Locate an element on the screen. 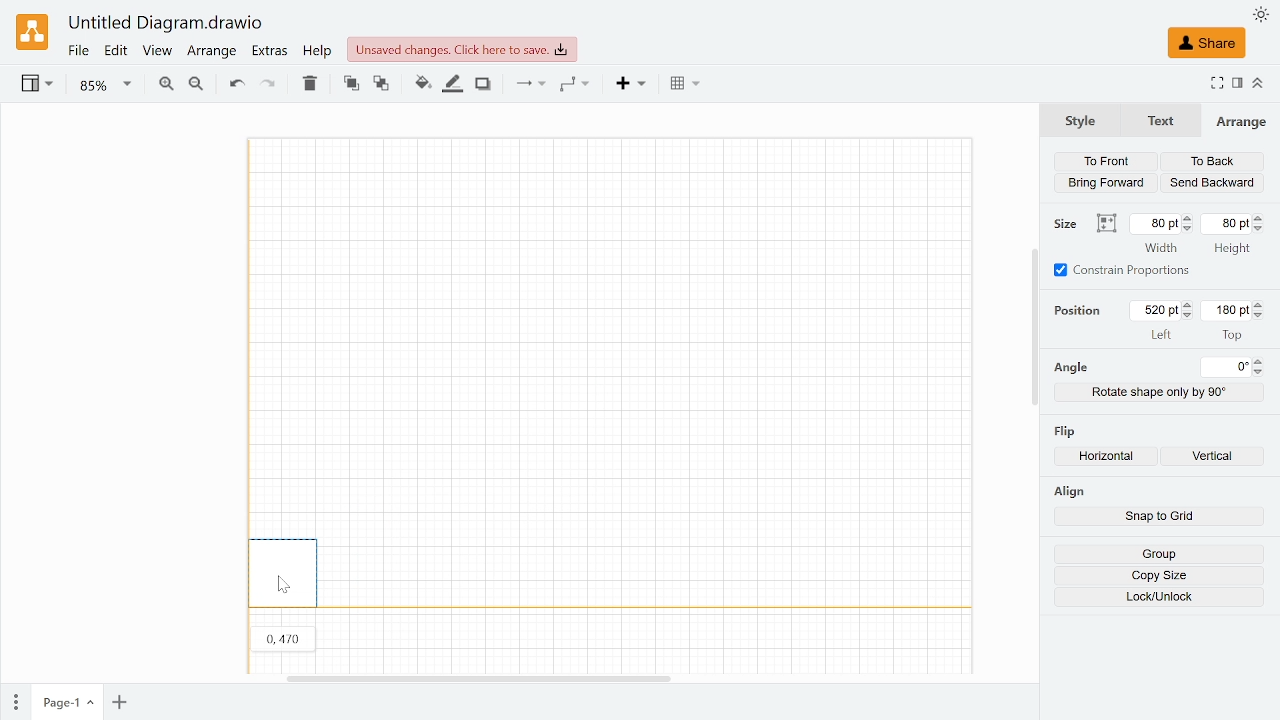 The width and height of the screenshot is (1280, 720). Help is located at coordinates (318, 51).